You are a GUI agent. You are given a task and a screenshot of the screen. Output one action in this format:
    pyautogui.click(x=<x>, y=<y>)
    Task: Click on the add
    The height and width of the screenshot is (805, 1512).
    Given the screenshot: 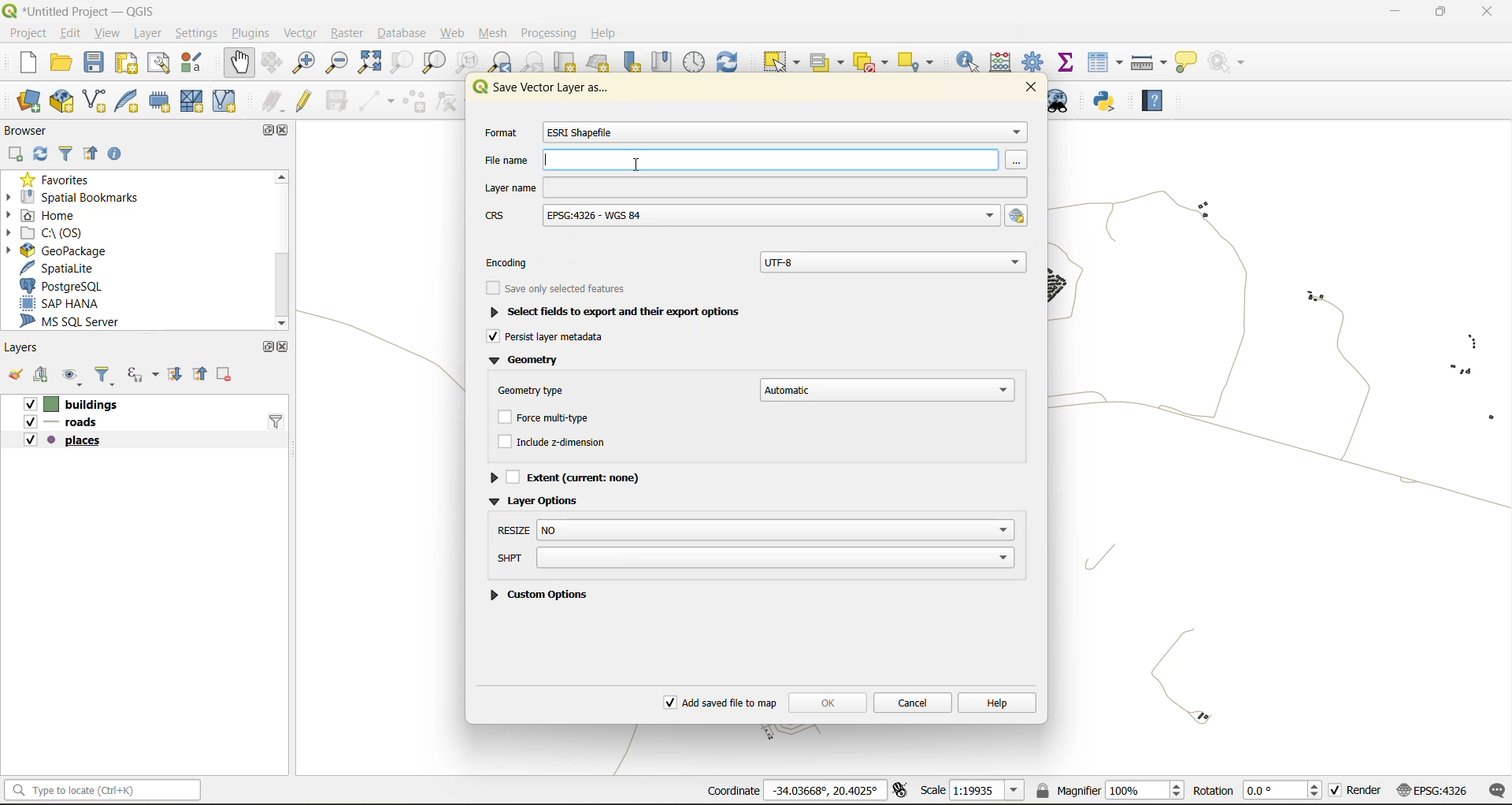 What is the action you would take?
    pyautogui.click(x=46, y=377)
    